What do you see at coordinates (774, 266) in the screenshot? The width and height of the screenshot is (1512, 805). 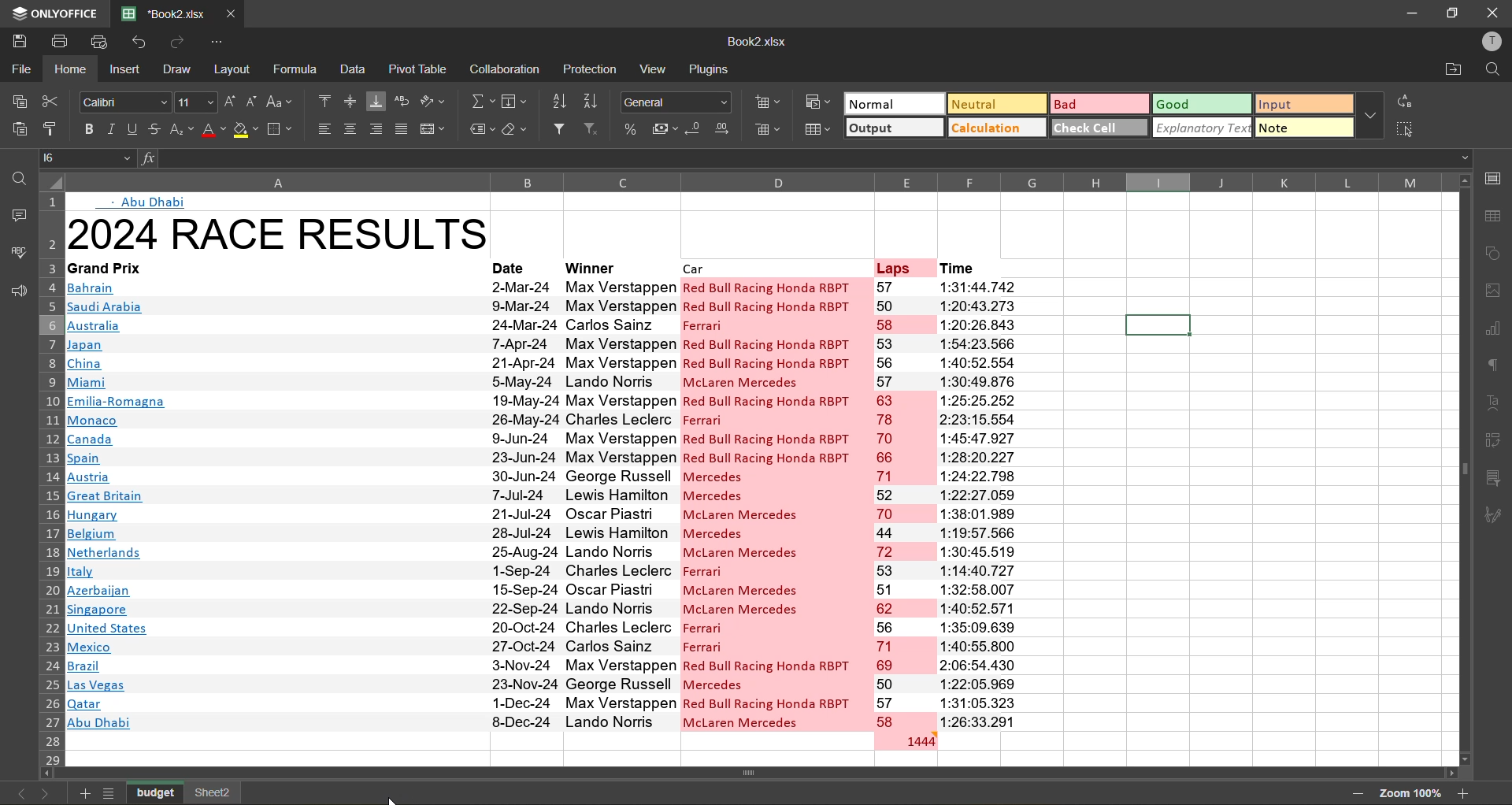 I see `car` at bounding box center [774, 266].